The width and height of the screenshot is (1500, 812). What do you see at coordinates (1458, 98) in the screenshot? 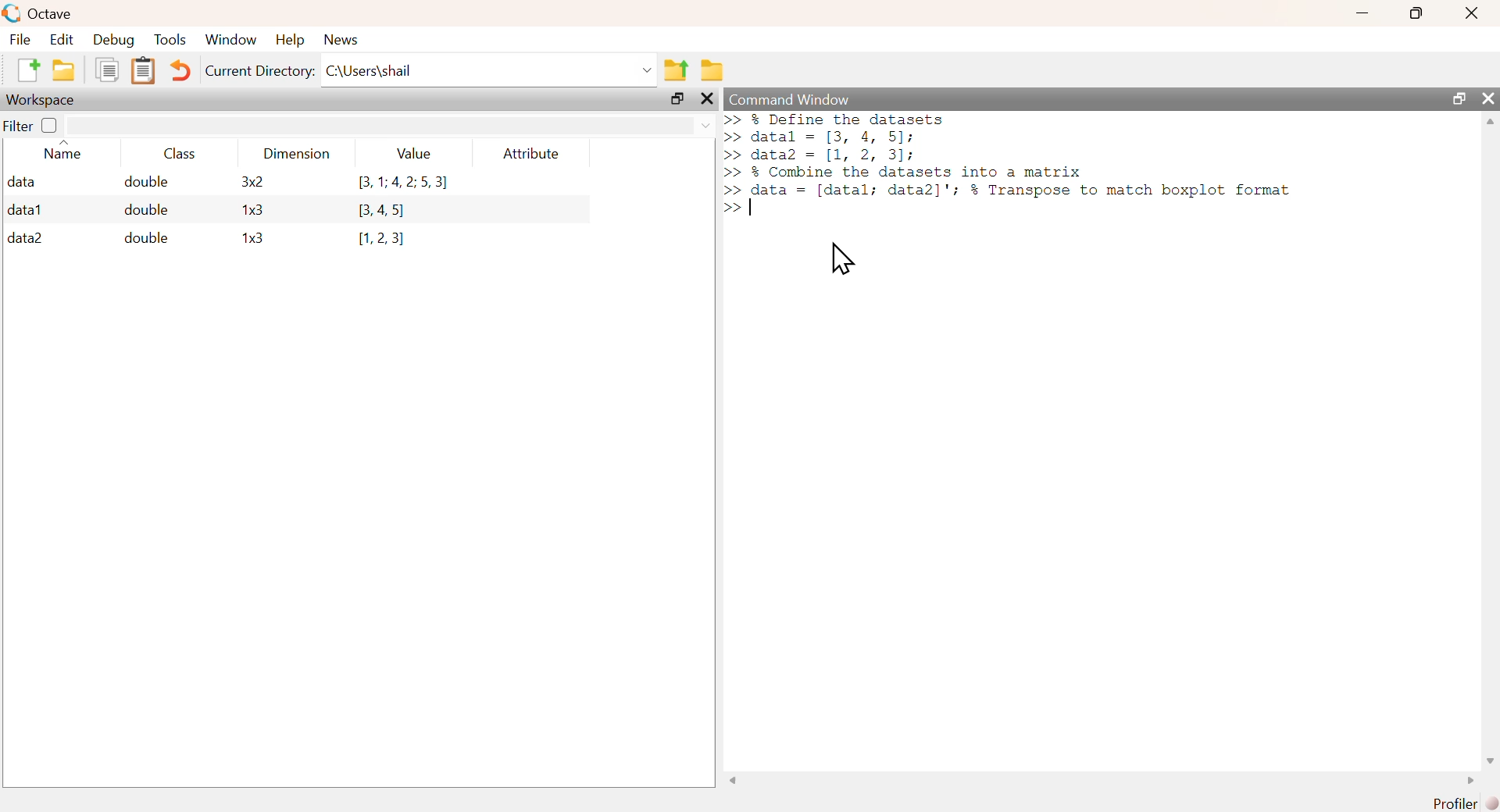
I see `maximize` at bounding box center [1458, 98].